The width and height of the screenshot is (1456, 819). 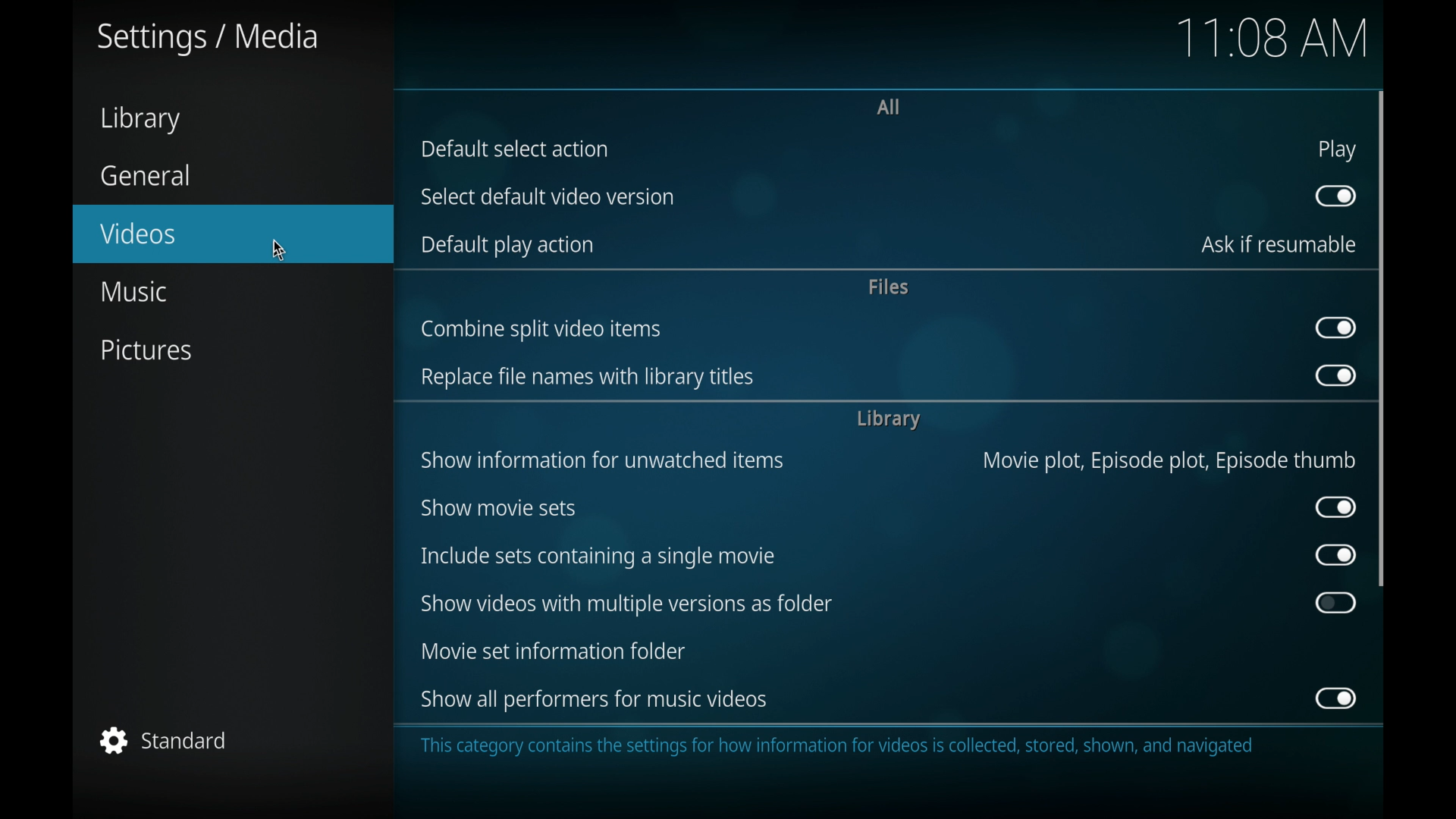 I want to click on show movie sets, so click(x=500, y=508).